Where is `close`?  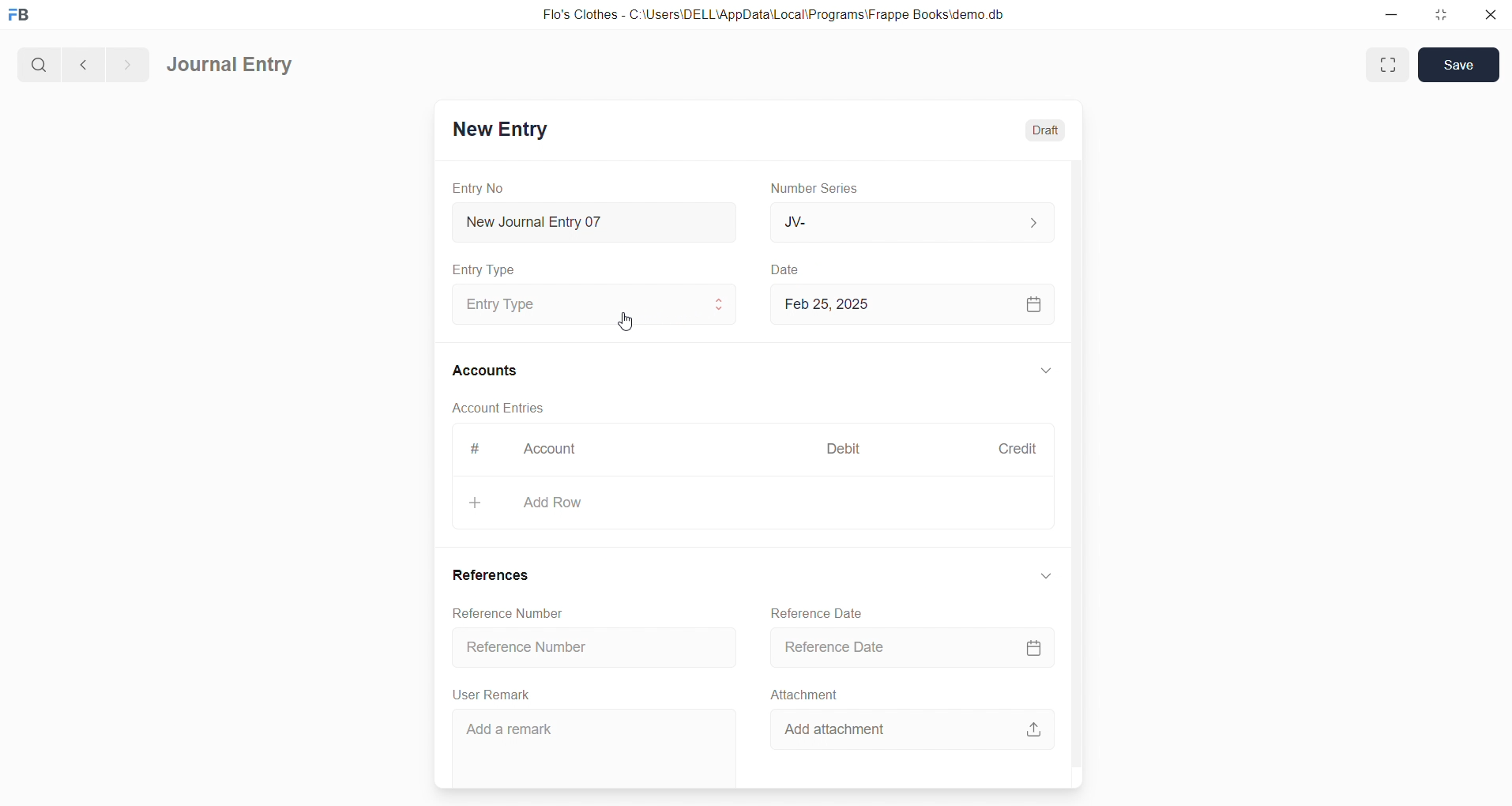
close is located at coordinates (1489, 16).